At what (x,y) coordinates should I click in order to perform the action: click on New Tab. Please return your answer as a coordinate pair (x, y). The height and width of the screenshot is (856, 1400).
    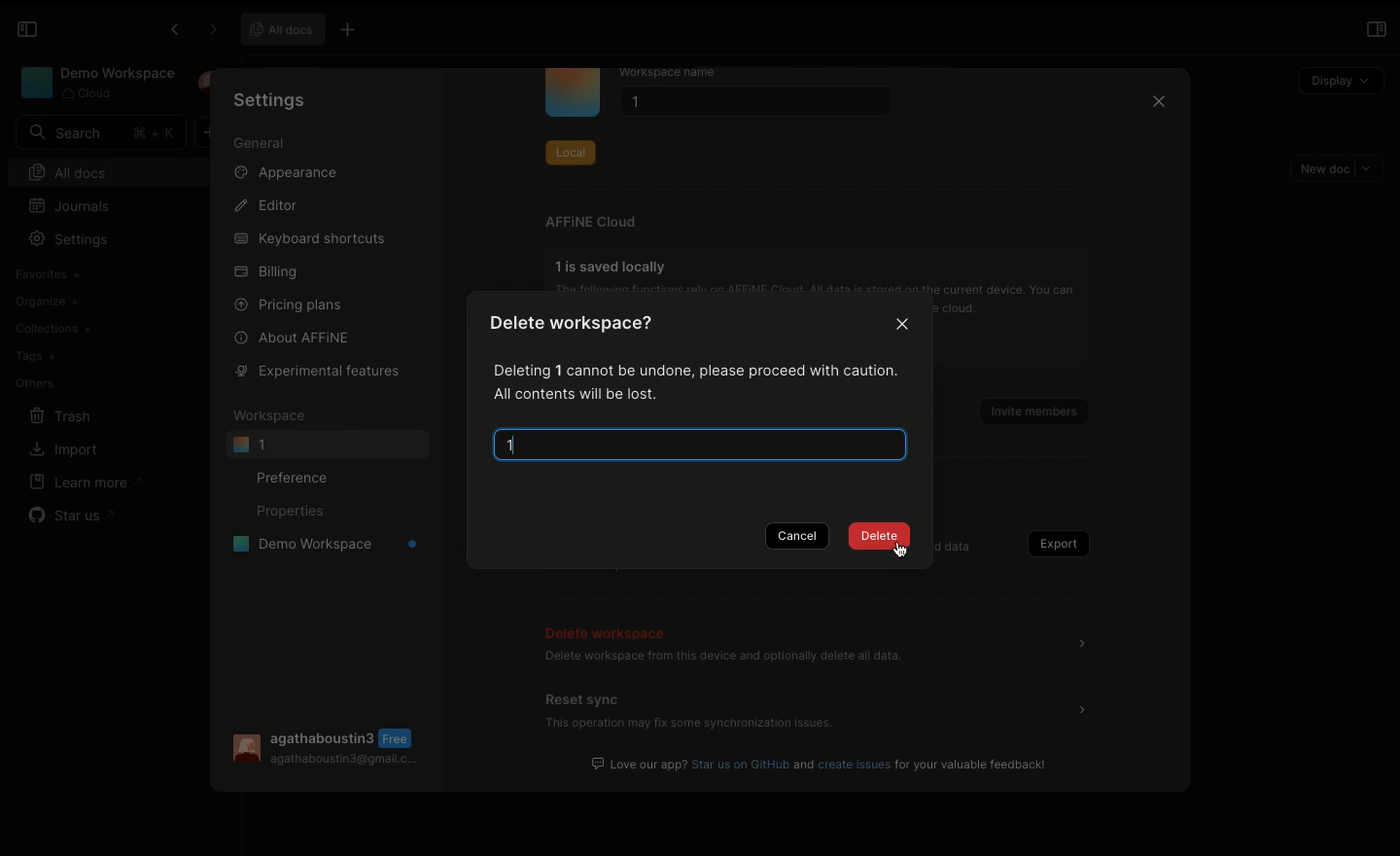
    Looking at the image, I should click on (354, 31).